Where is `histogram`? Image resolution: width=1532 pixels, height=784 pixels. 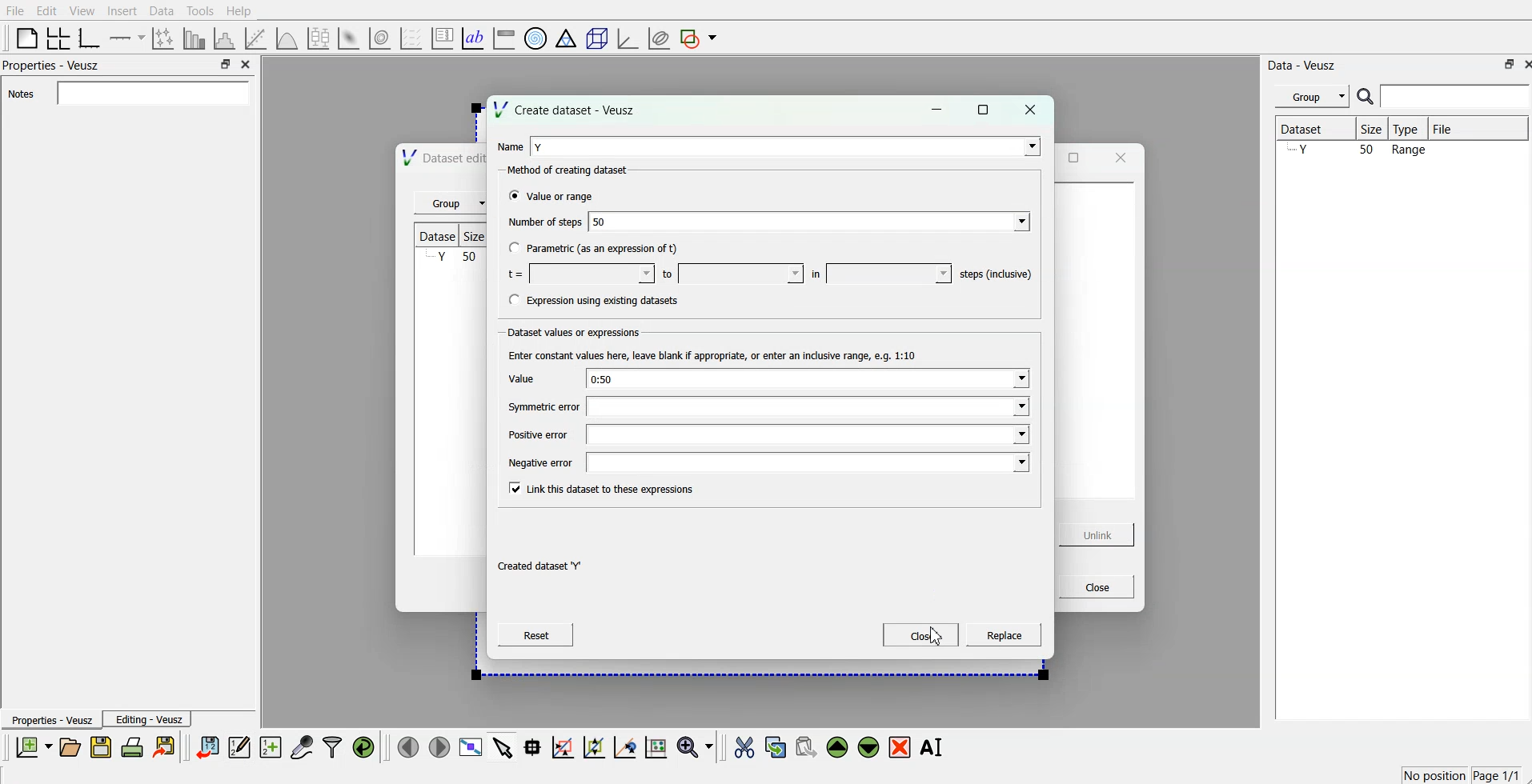
histogram is located at coordinates (226, 37).